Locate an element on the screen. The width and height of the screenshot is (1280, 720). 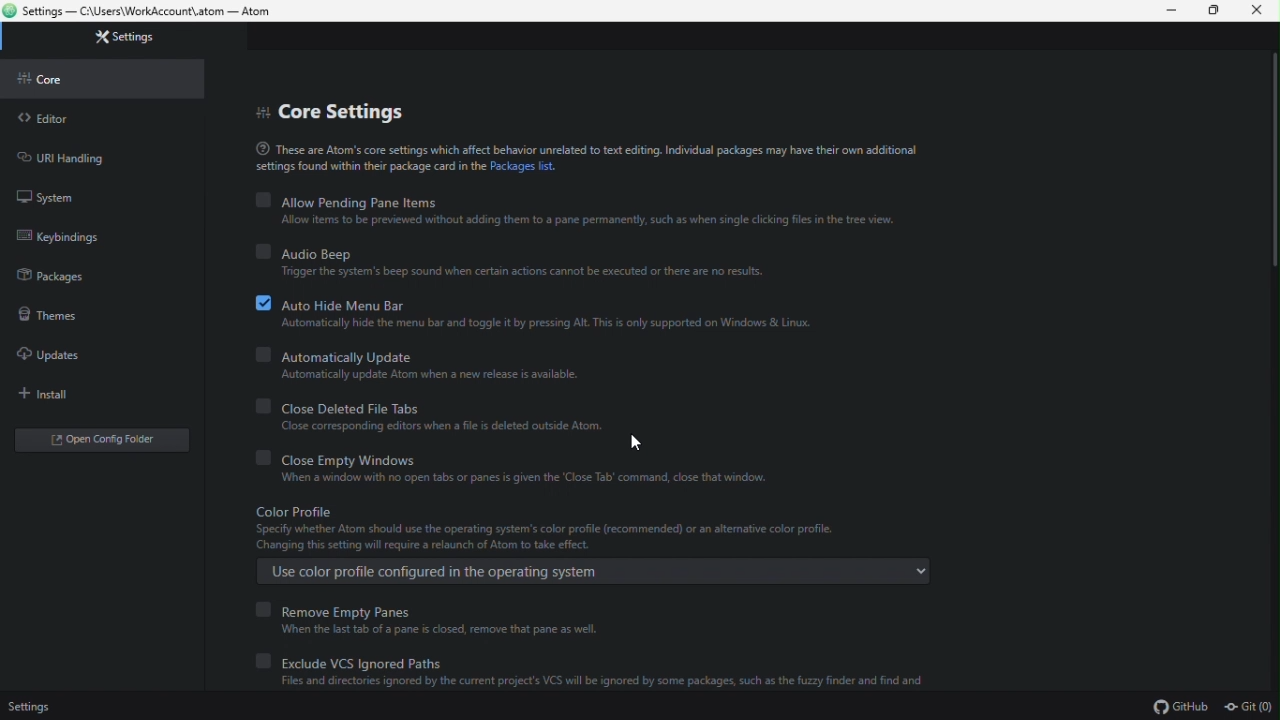
Files and directories ignored by the current project's VCS will be ignored by some packages, such as the fuzzy finder and find and is located at coordinates (593, 683).